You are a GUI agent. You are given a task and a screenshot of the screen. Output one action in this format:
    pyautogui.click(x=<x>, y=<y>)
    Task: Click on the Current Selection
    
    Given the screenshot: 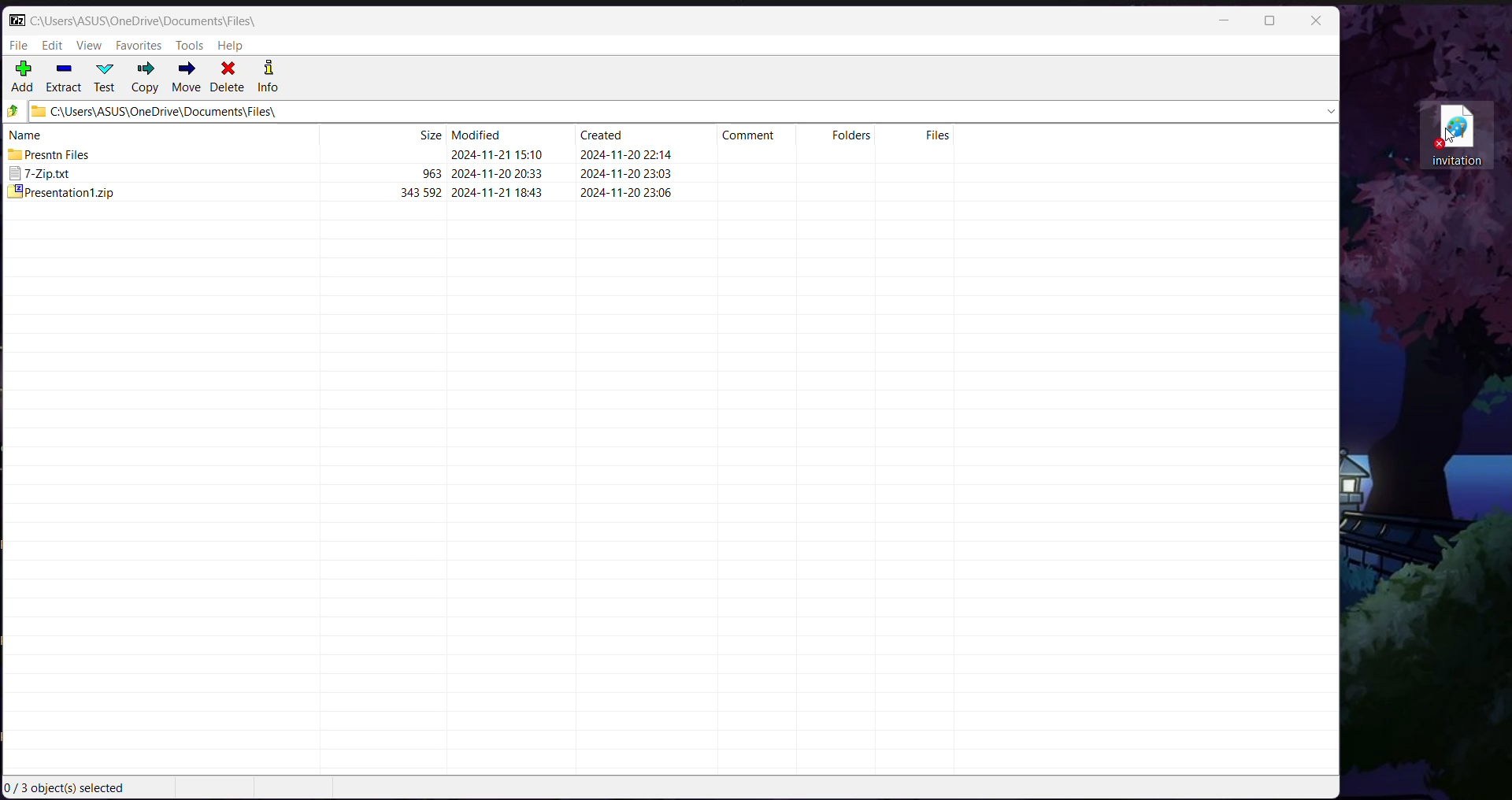 What is the action you would take?
    pyautogui.click(x=70, y=788)
    